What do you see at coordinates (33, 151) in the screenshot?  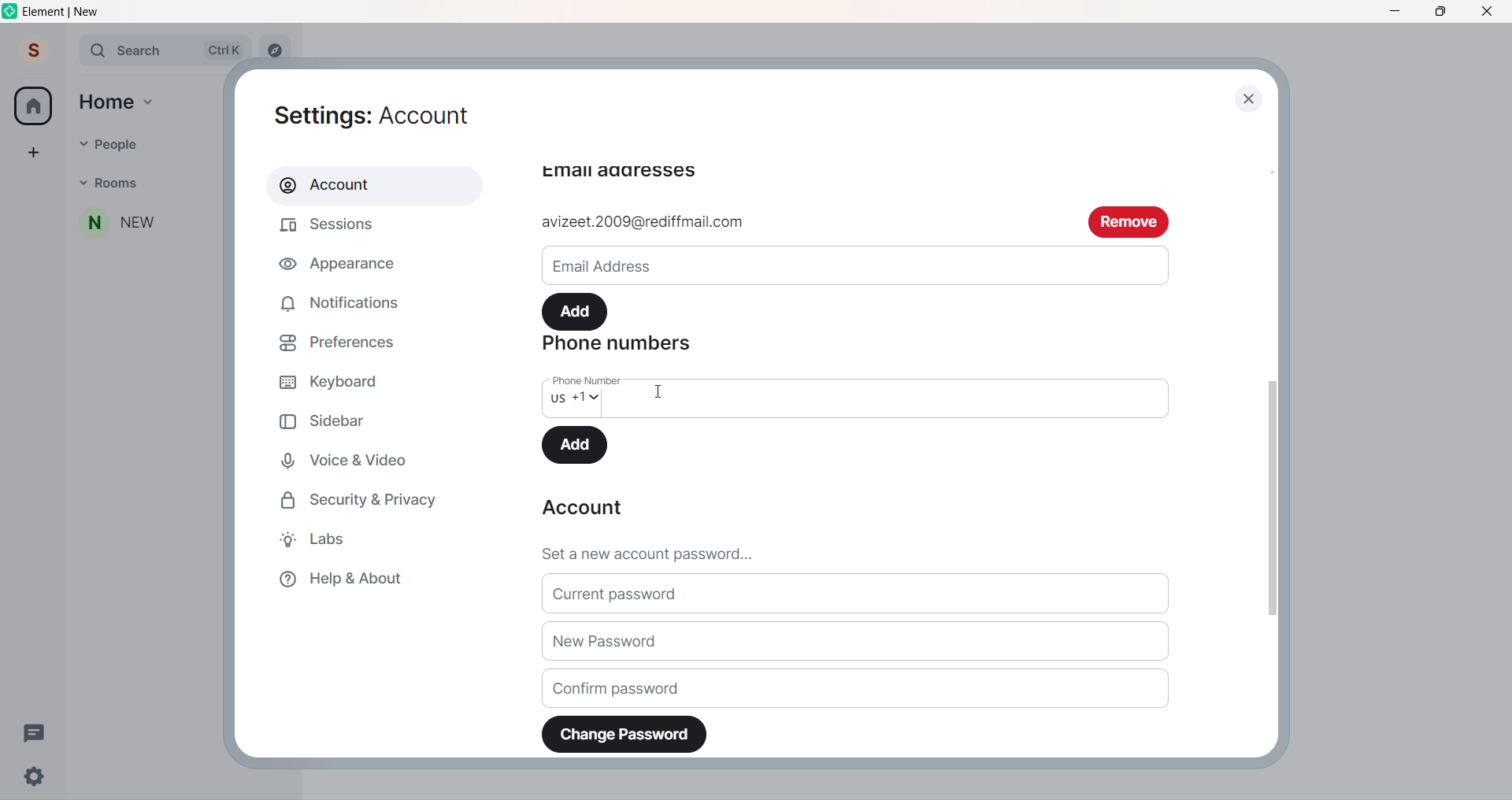 I see `Create a space` at bounding box center [33, 151].